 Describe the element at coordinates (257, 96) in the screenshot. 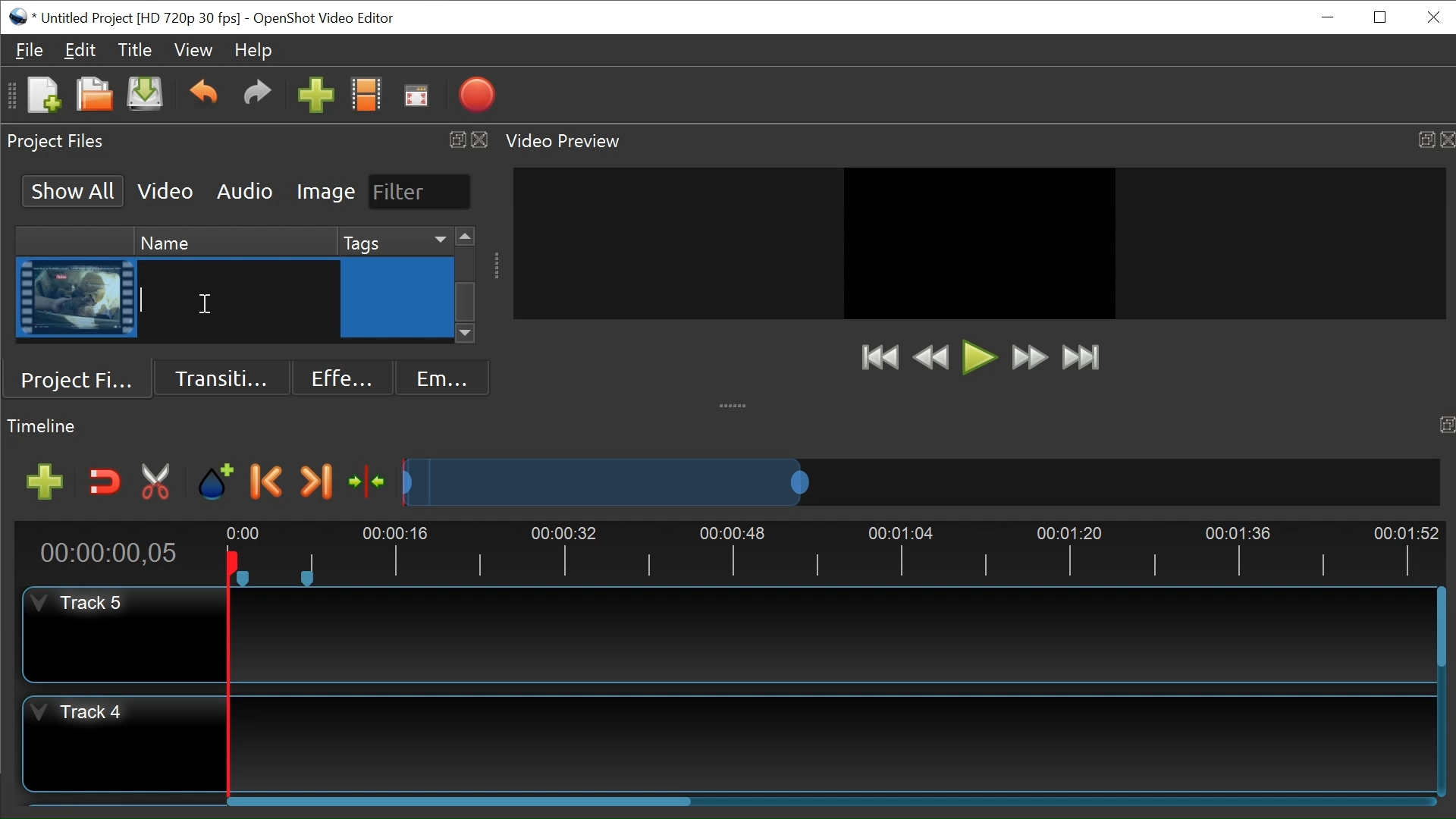

I see `Redo` at that location.